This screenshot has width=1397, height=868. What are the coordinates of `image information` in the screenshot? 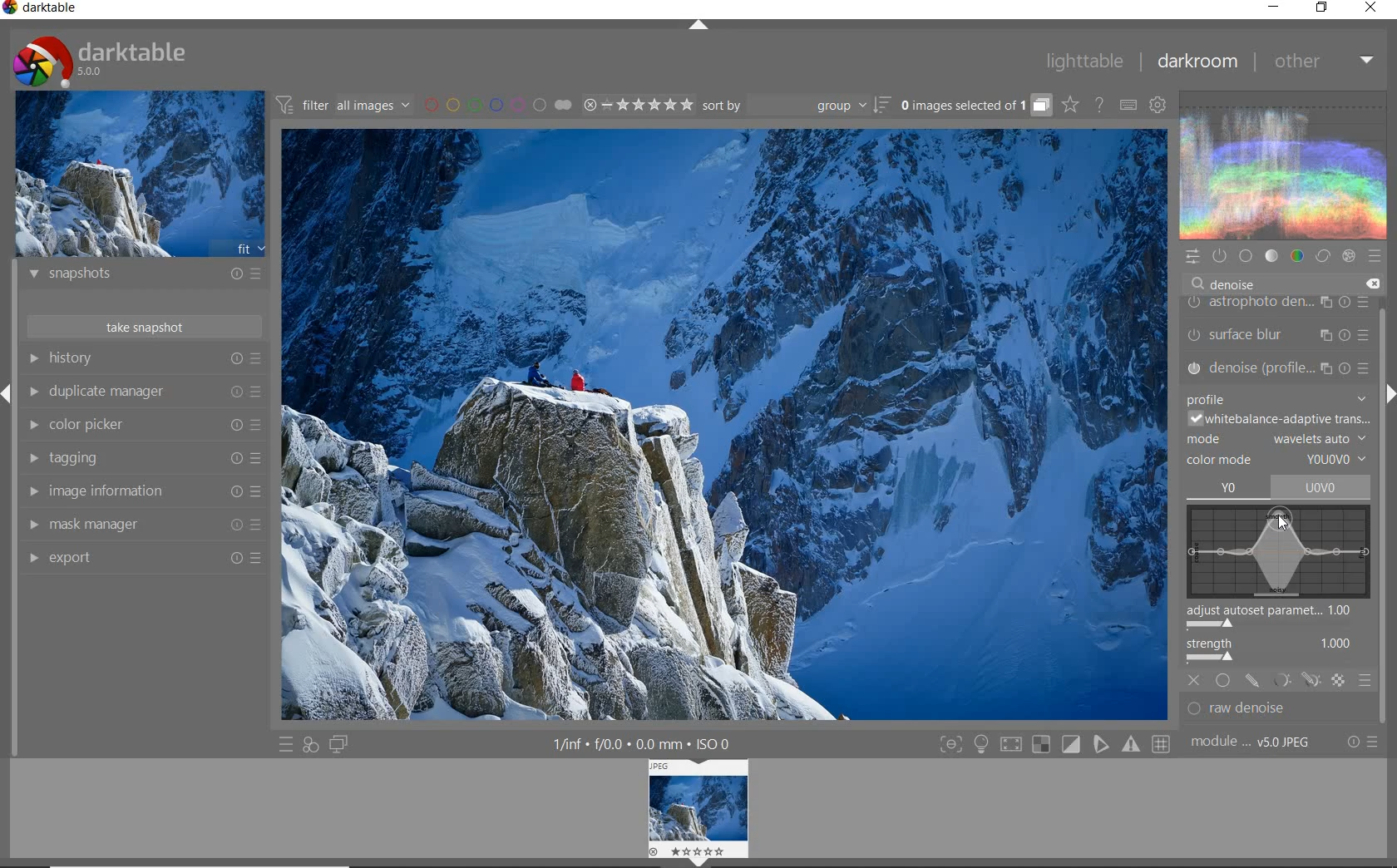 It's located at (143, 491).